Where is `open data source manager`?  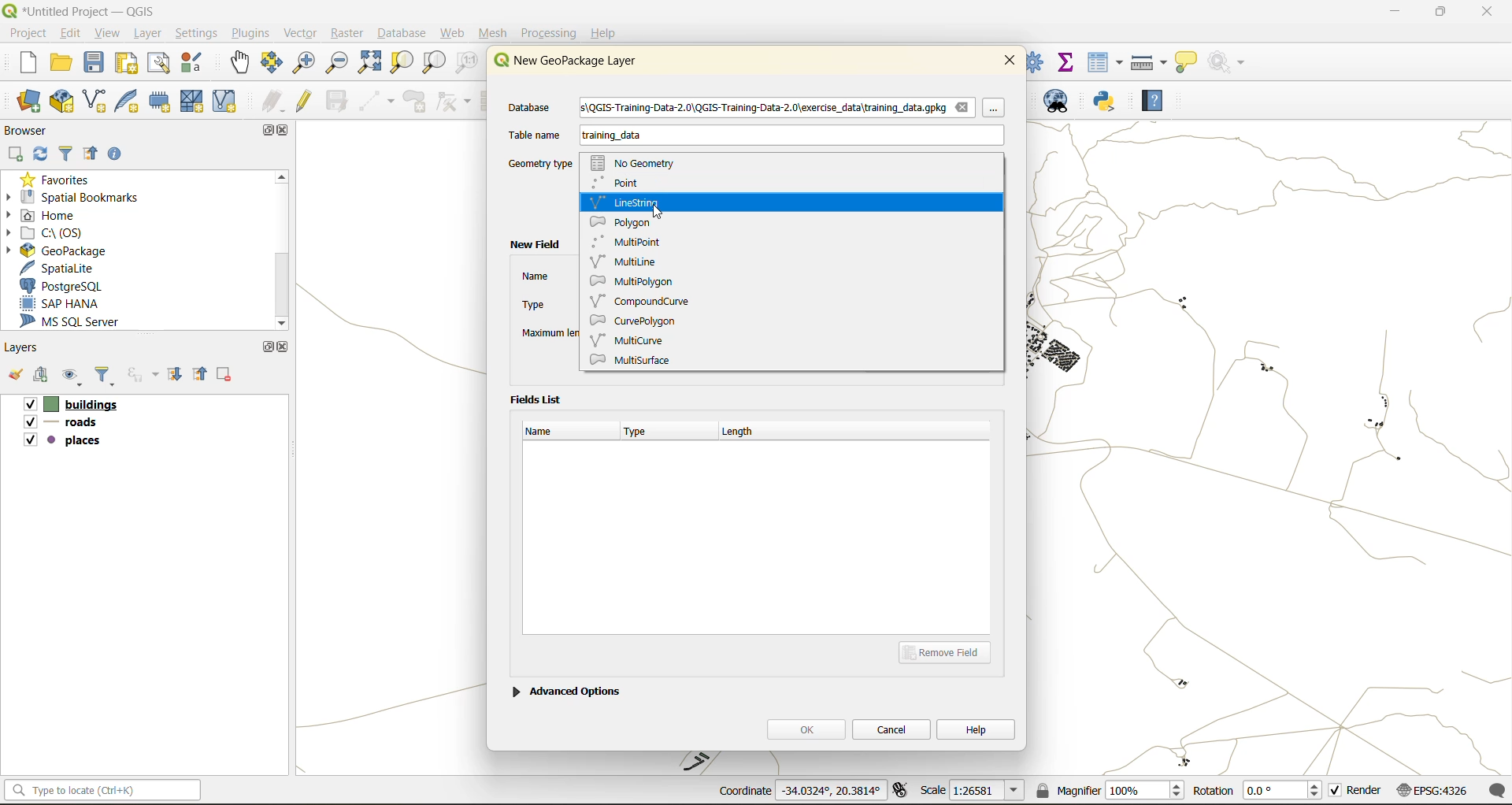
open data source manager is located at coordinates (29, 102).